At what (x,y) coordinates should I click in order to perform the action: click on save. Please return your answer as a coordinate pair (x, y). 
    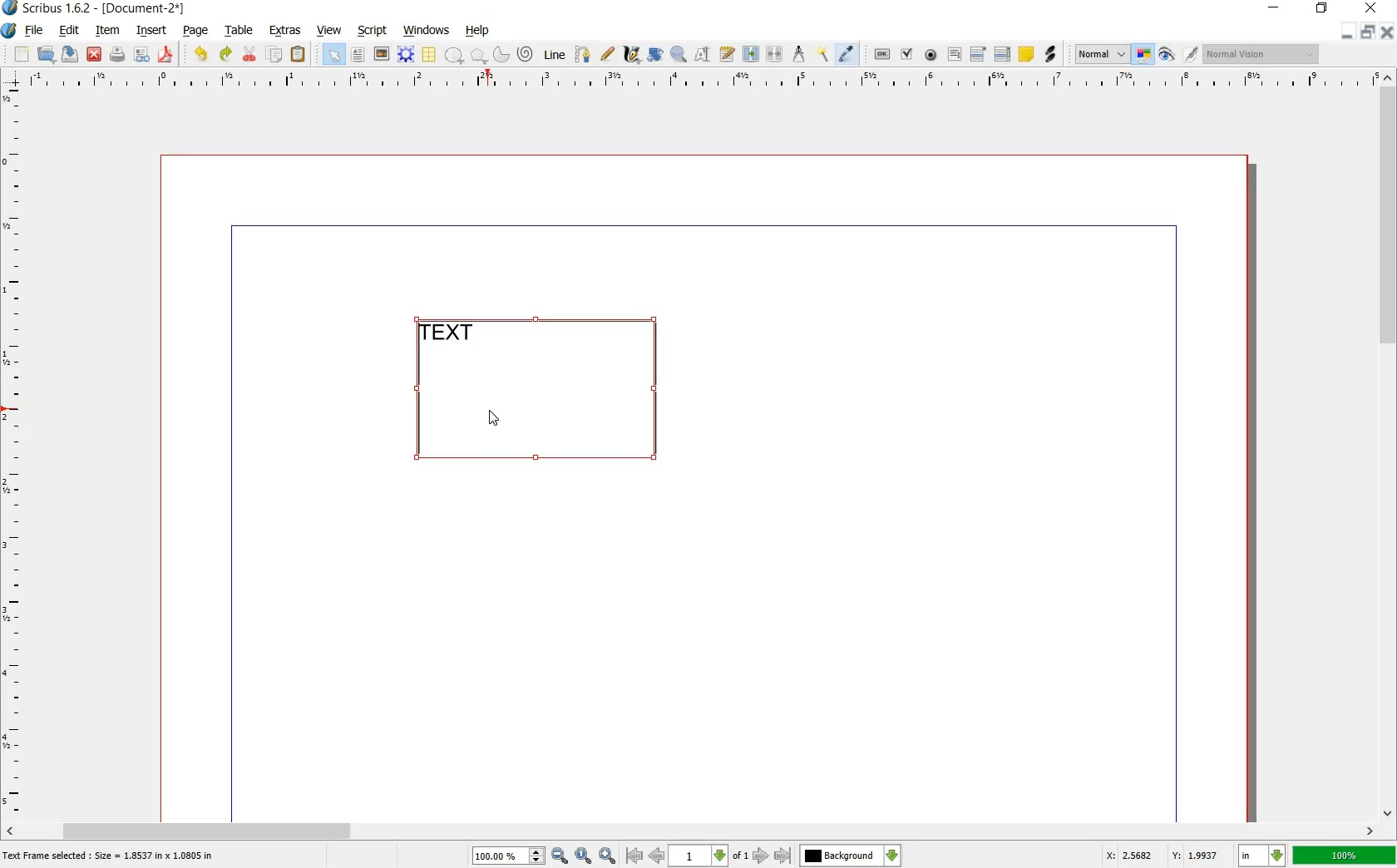
    Looking at the image, I should click on (72, 54).